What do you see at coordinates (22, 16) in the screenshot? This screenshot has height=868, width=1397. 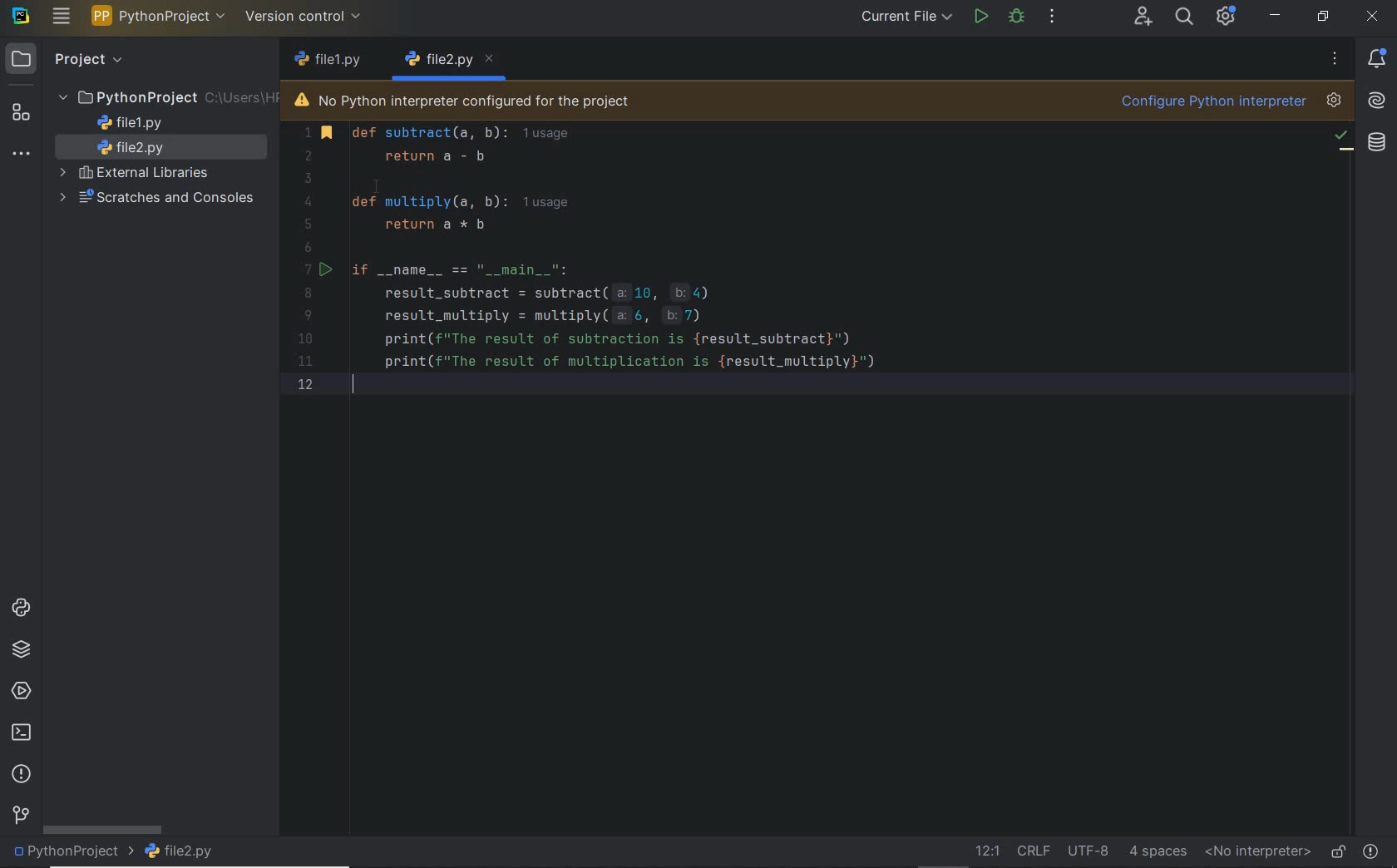 I see `system name` at bounding box center [22, 16].